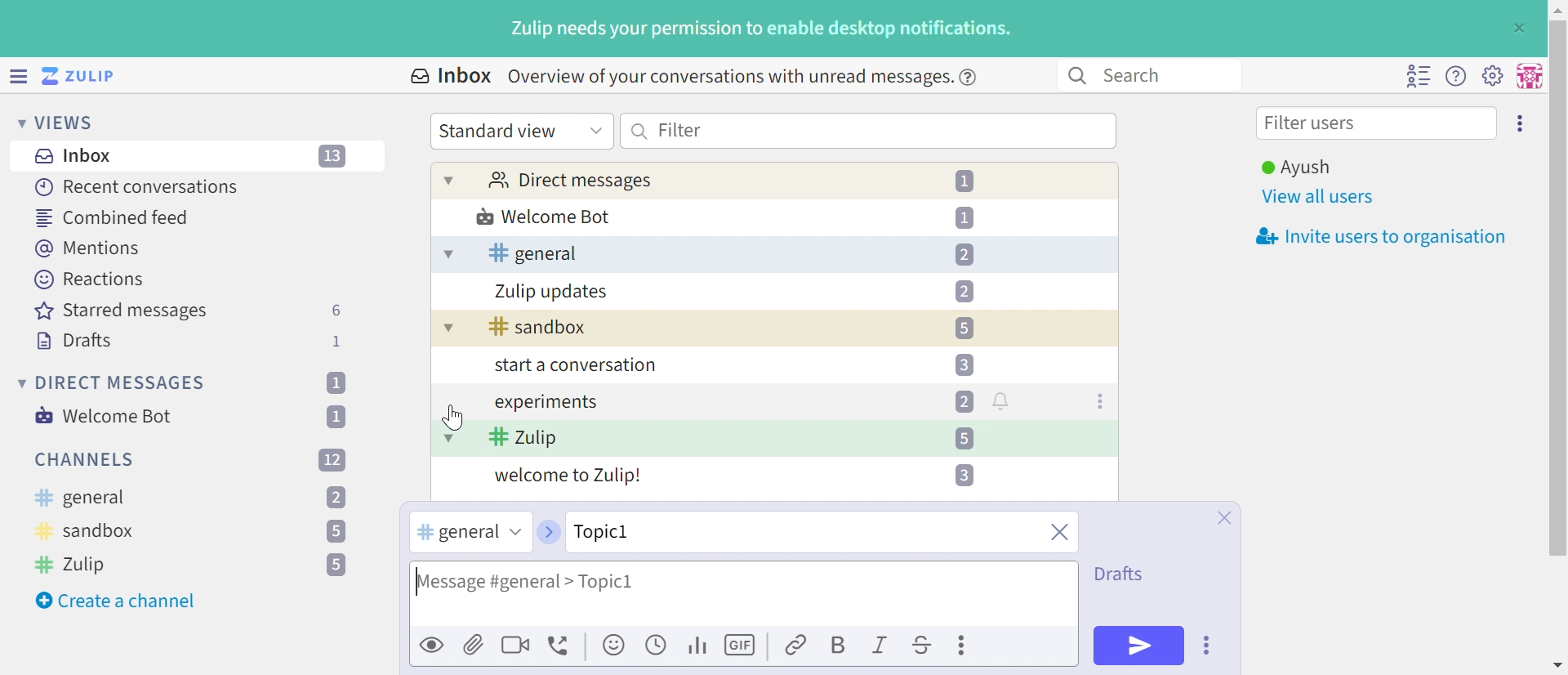 The image size is (1568, 675). What do you see at coordinates (640, 131) in the screenshot?
I see `Search` at bounding box center [640, 131].